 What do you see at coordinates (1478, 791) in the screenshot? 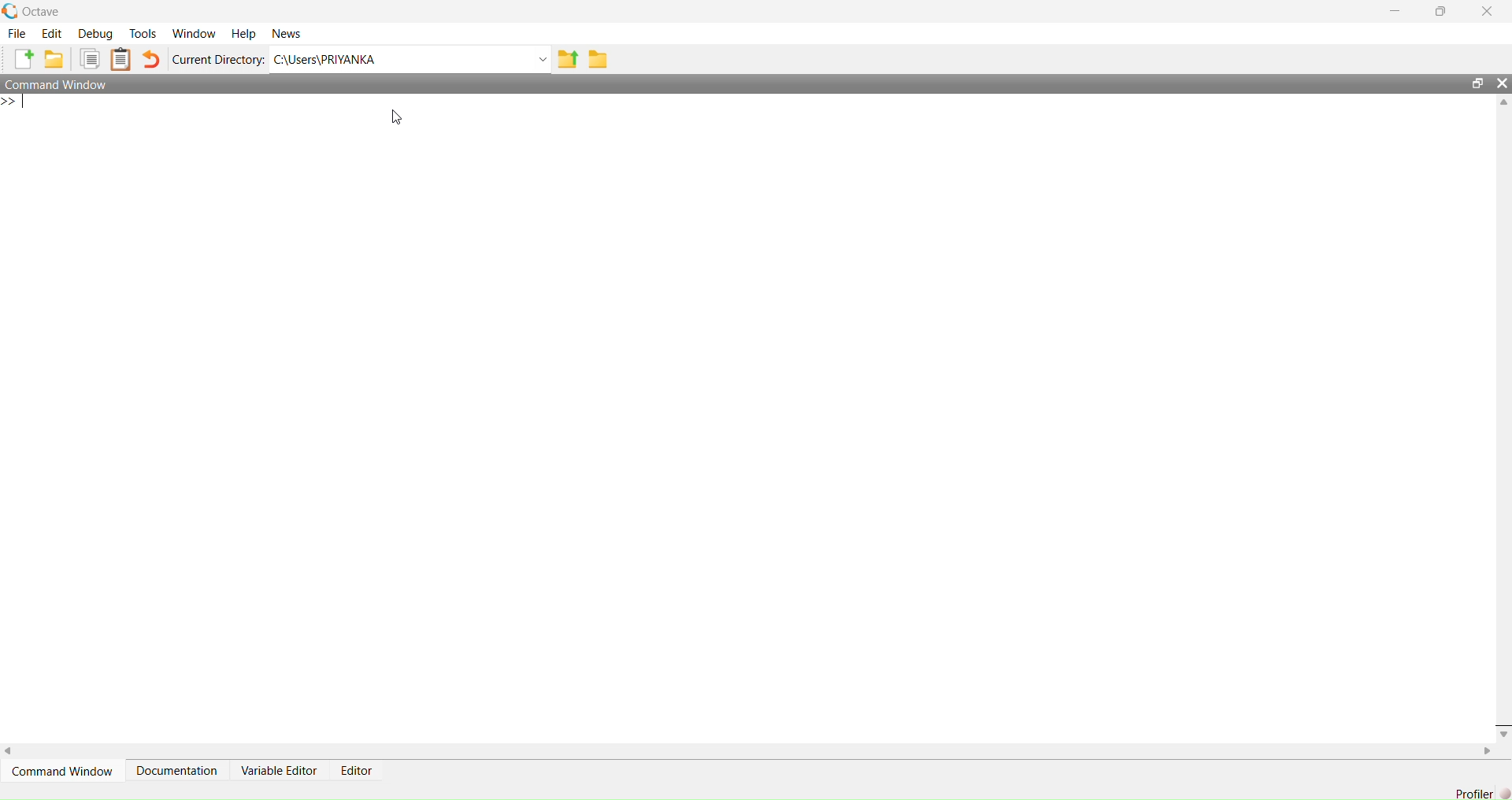
I see `Profiler` at bounding box center [1478, 791].